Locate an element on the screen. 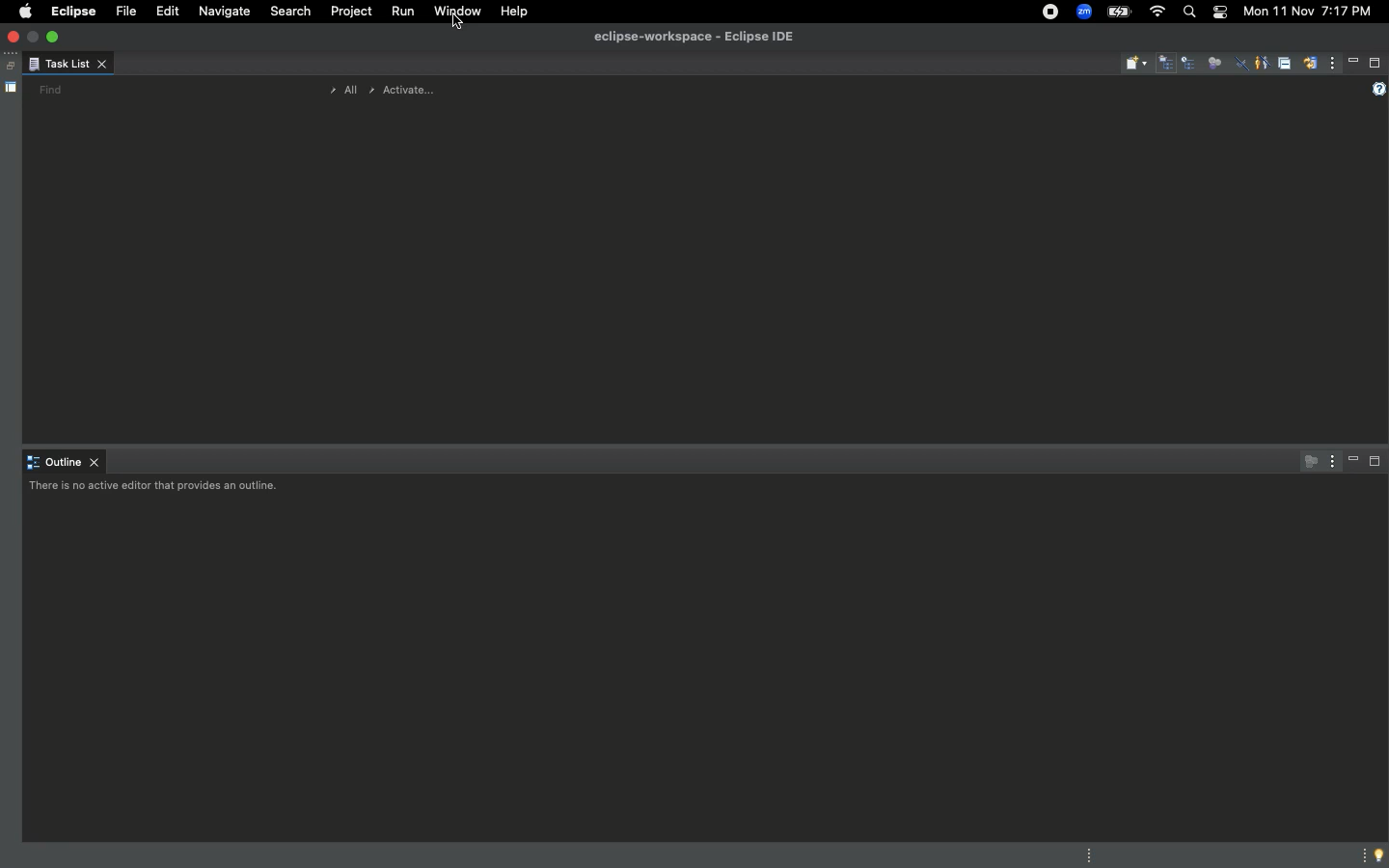 Image resolution: width=1389 pixels, height=868 pixels. Show tasks UI legend is located at coordinates (1376, 90).